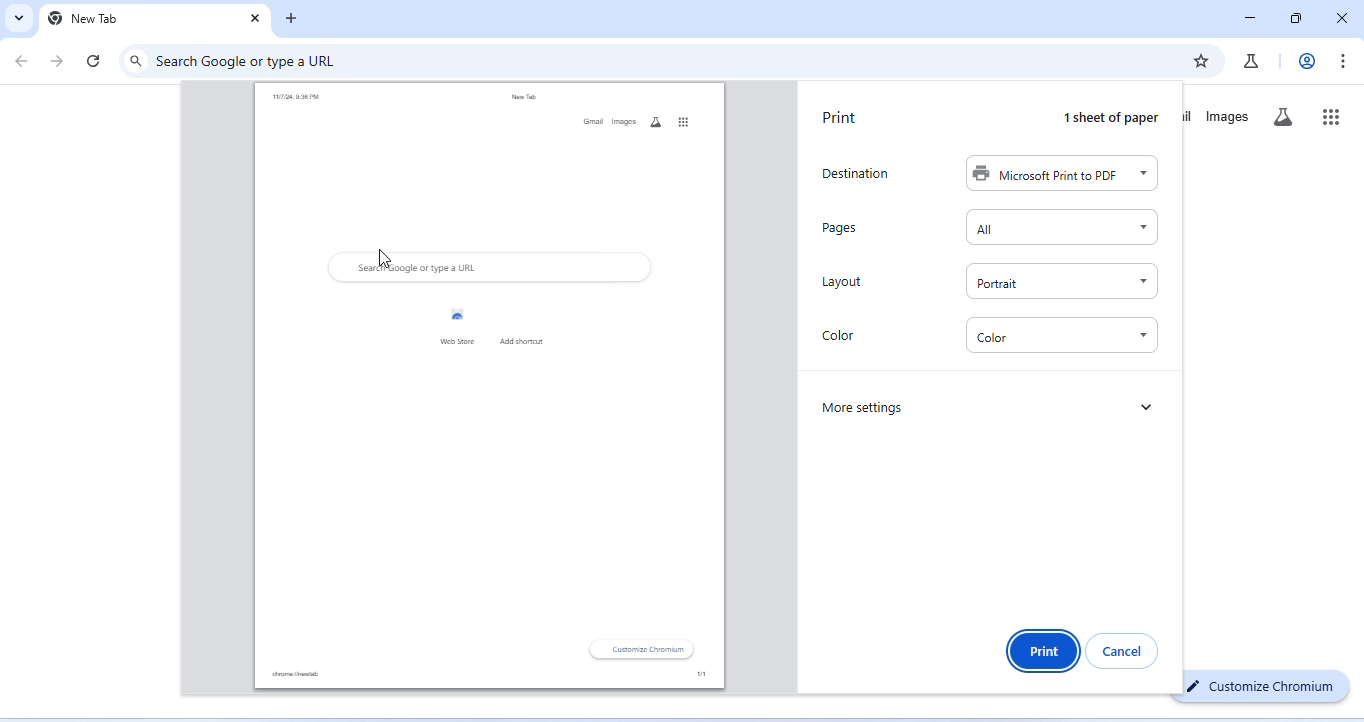 This screenshot has width=1364, height=722. What do you see at coordinates (1251, 19) in the screenshot?
I see `minimize` at bounding box center [1251, 19].